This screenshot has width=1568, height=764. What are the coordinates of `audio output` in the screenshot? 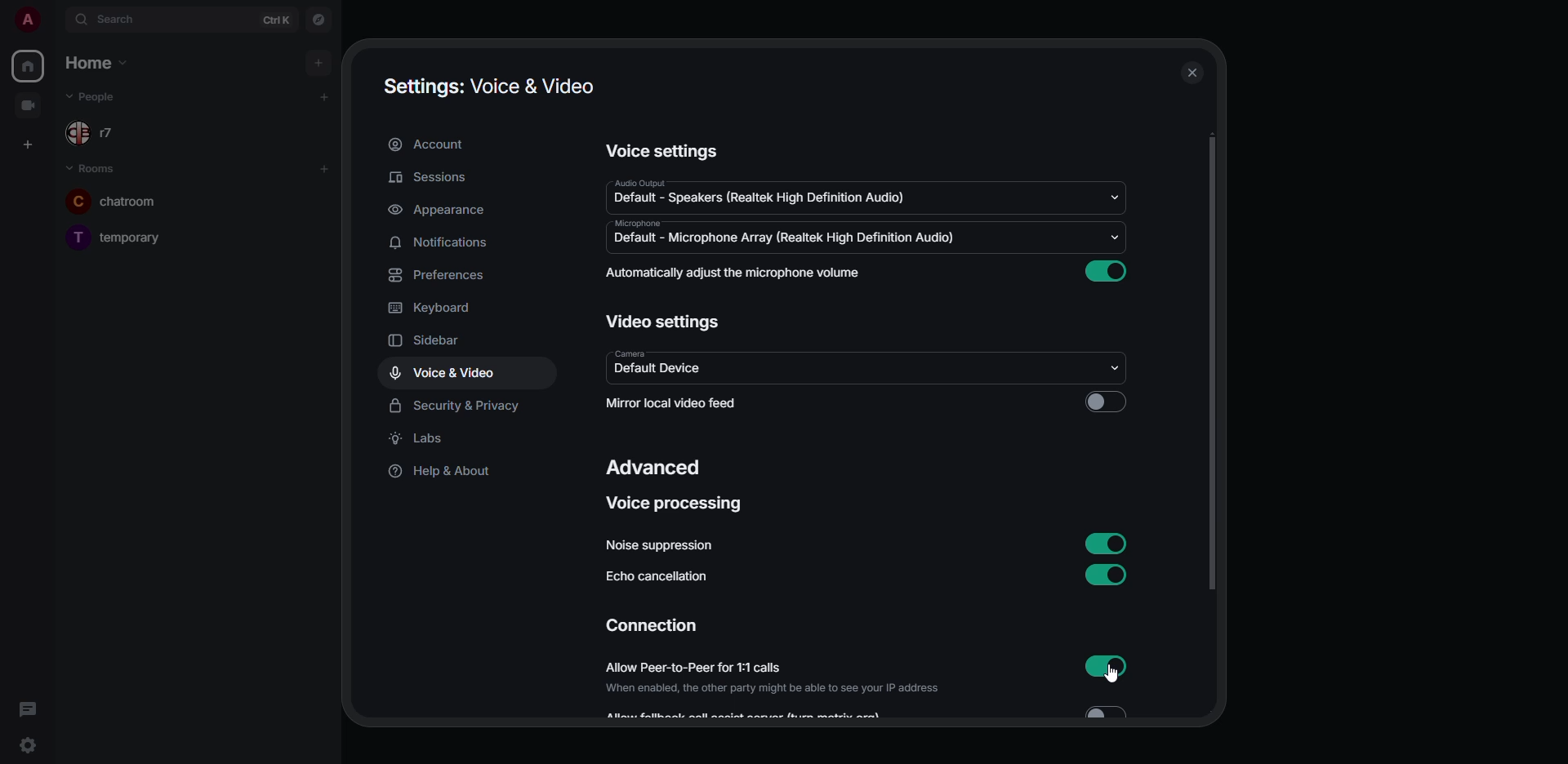 It's located at (637, 183).